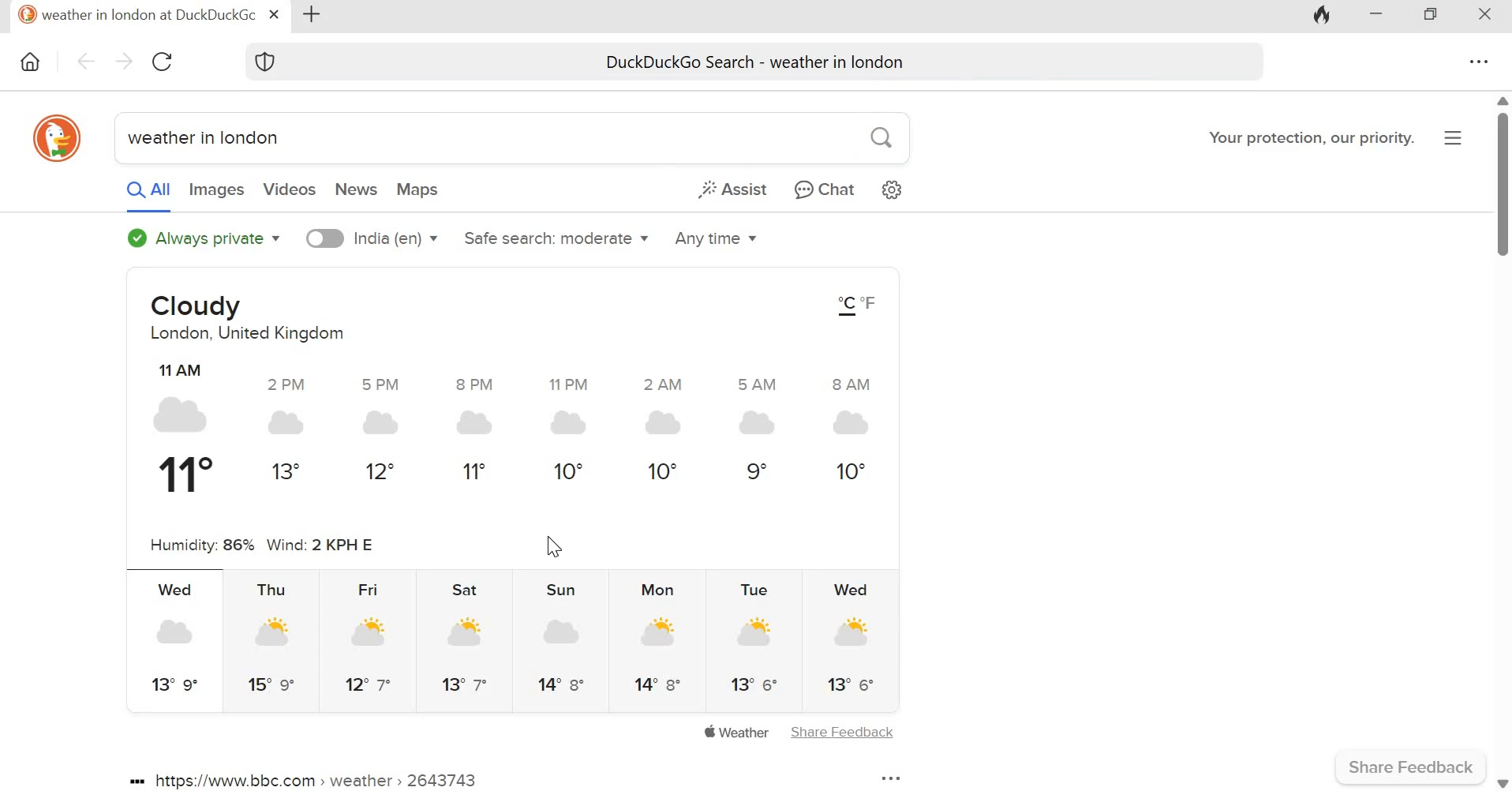  I want to click on Indicates cloudy, so click(174, 632).